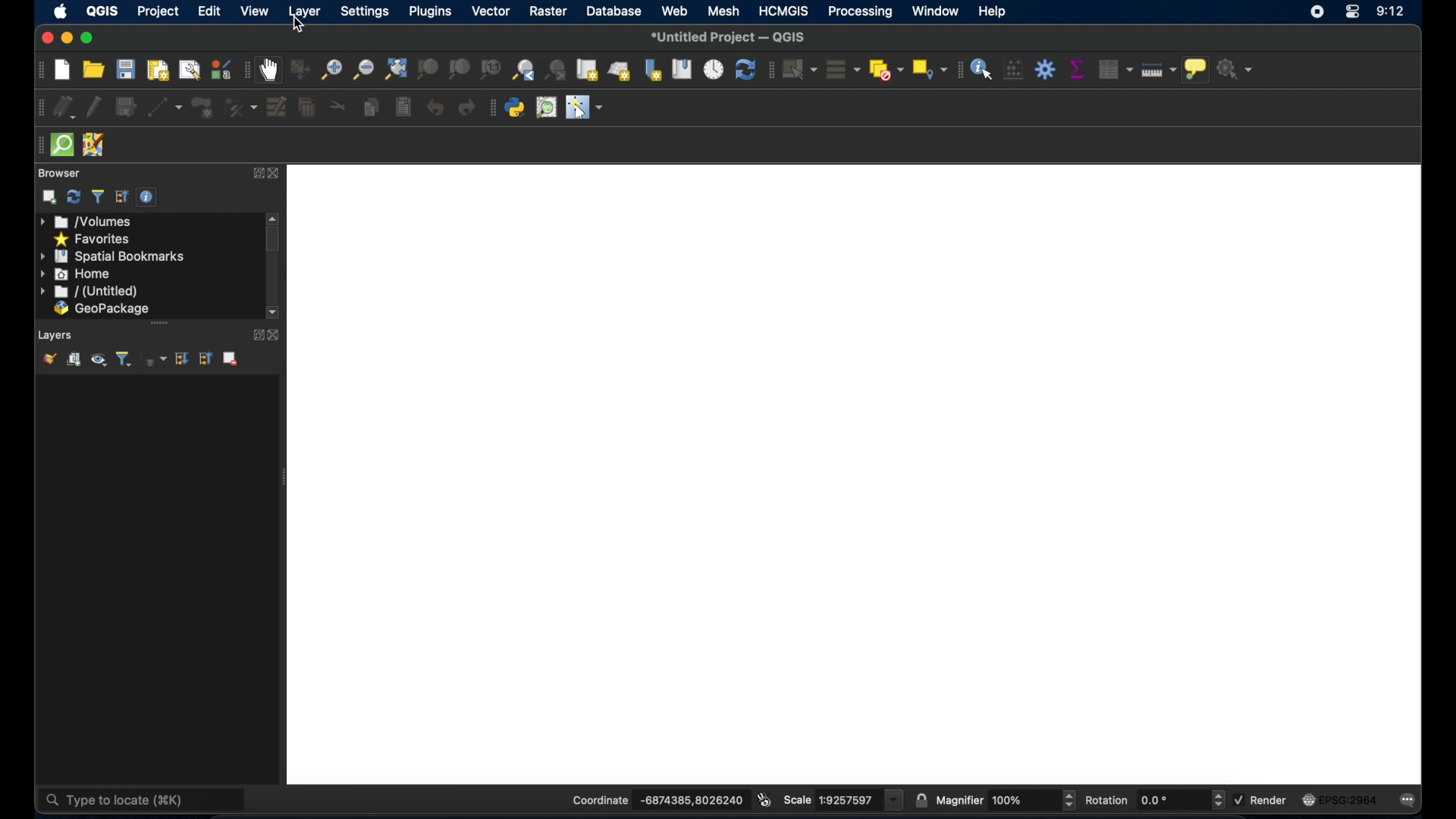 This screenshot has width=1456, height=819. I want to click on browser, so click(62, 173).